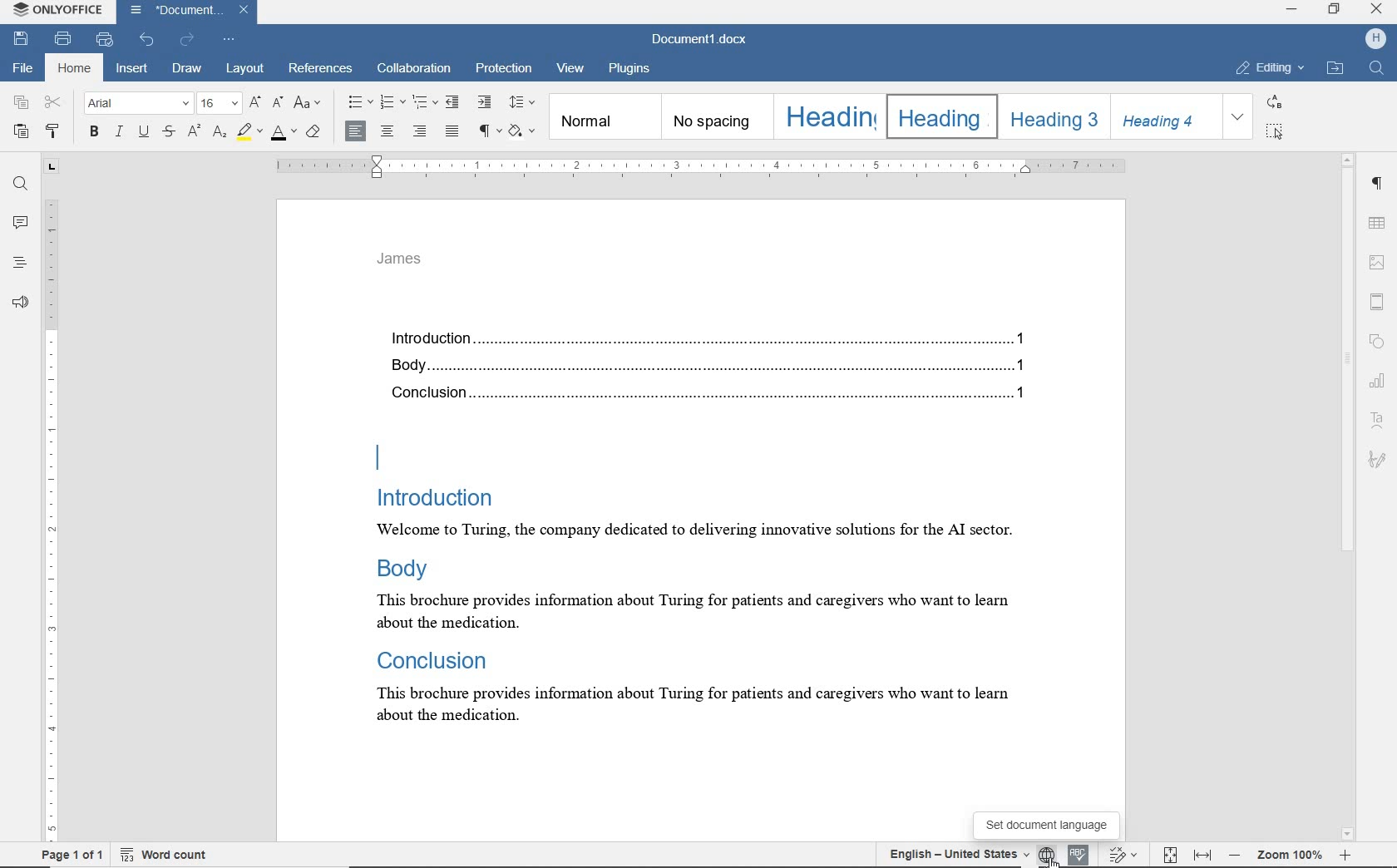  What do you see at coordinates (698, 340) in the screenshot?
I see `Introduction.......................................................................................................................................1` at bounding box center [698, 340].